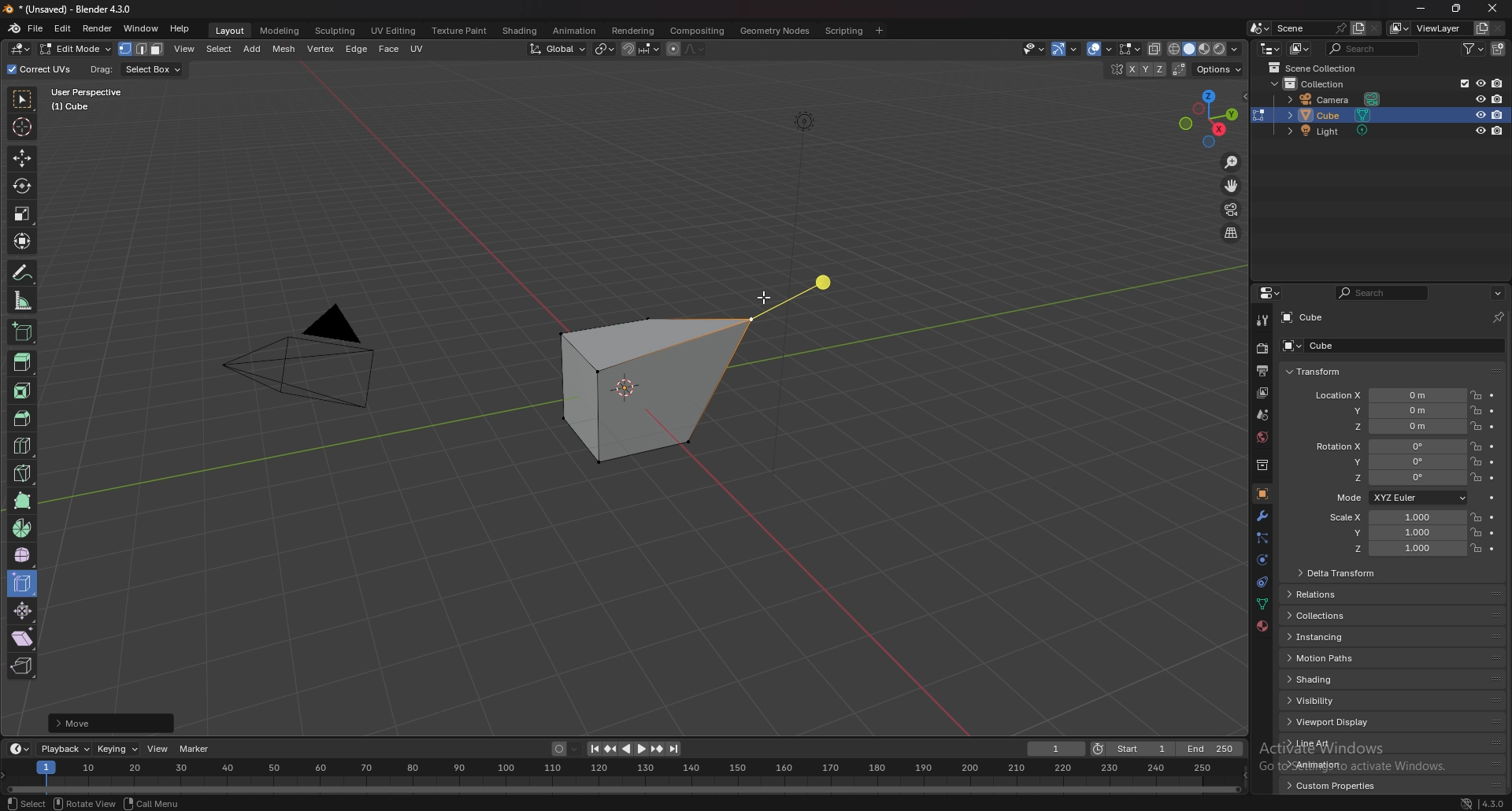  What do you see at coordinates (1327, 764) in the screenshot?
I see `animation` at bounding box center [1327, 764].